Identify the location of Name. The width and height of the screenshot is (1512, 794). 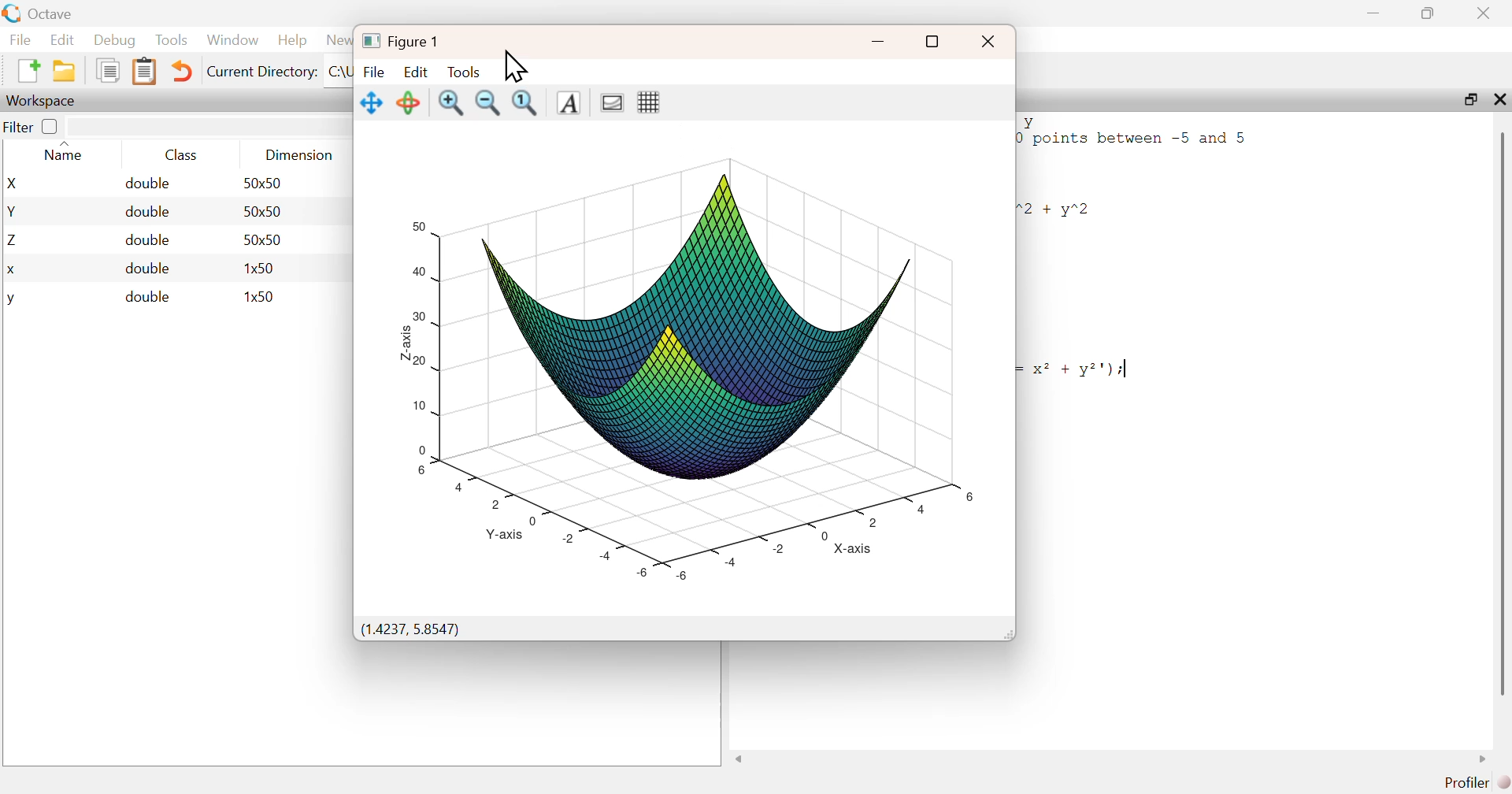
(68, 152).